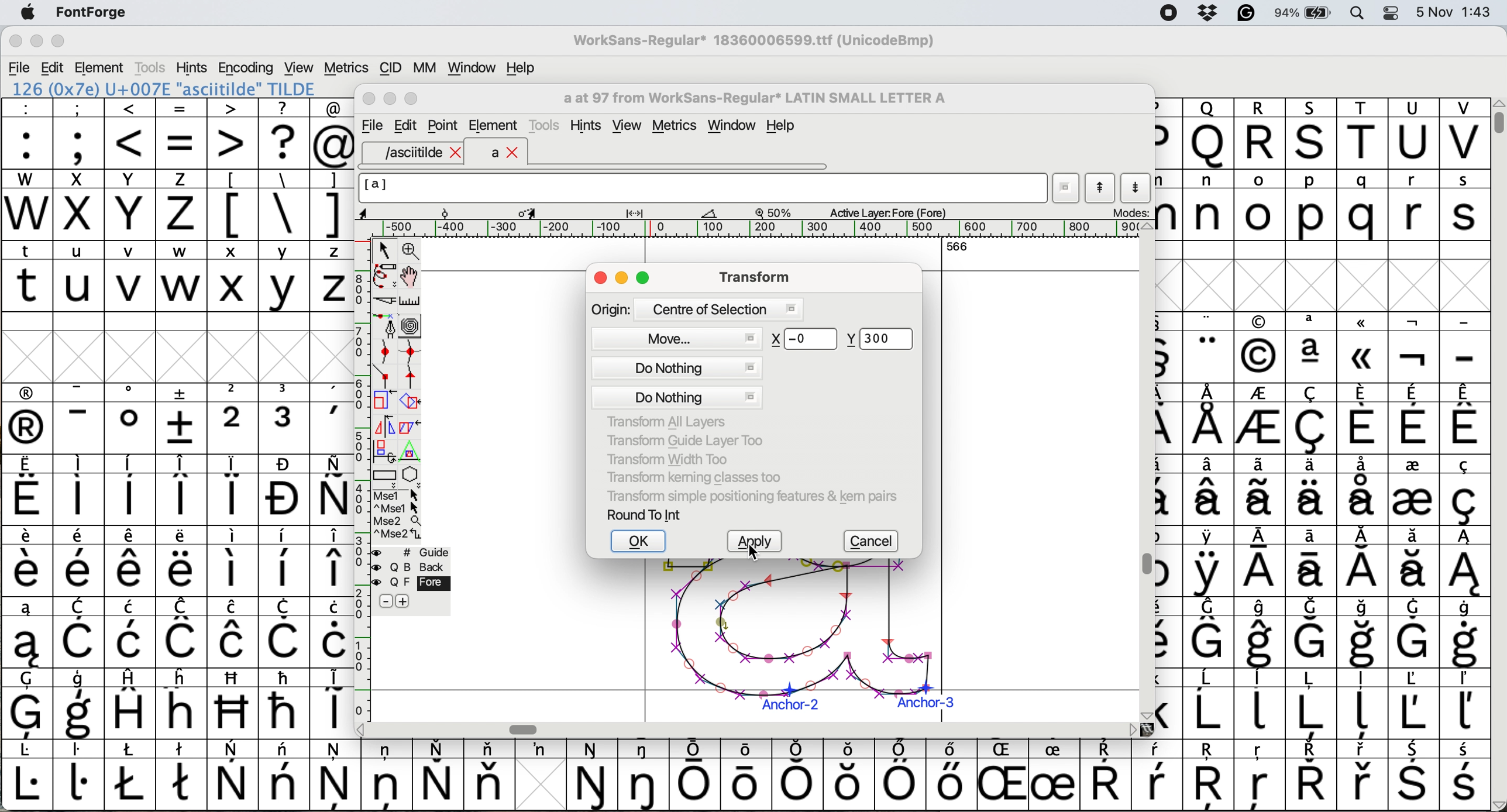 The image size is (1507, 812). I want to click on show next letter, so click(1138, 187).